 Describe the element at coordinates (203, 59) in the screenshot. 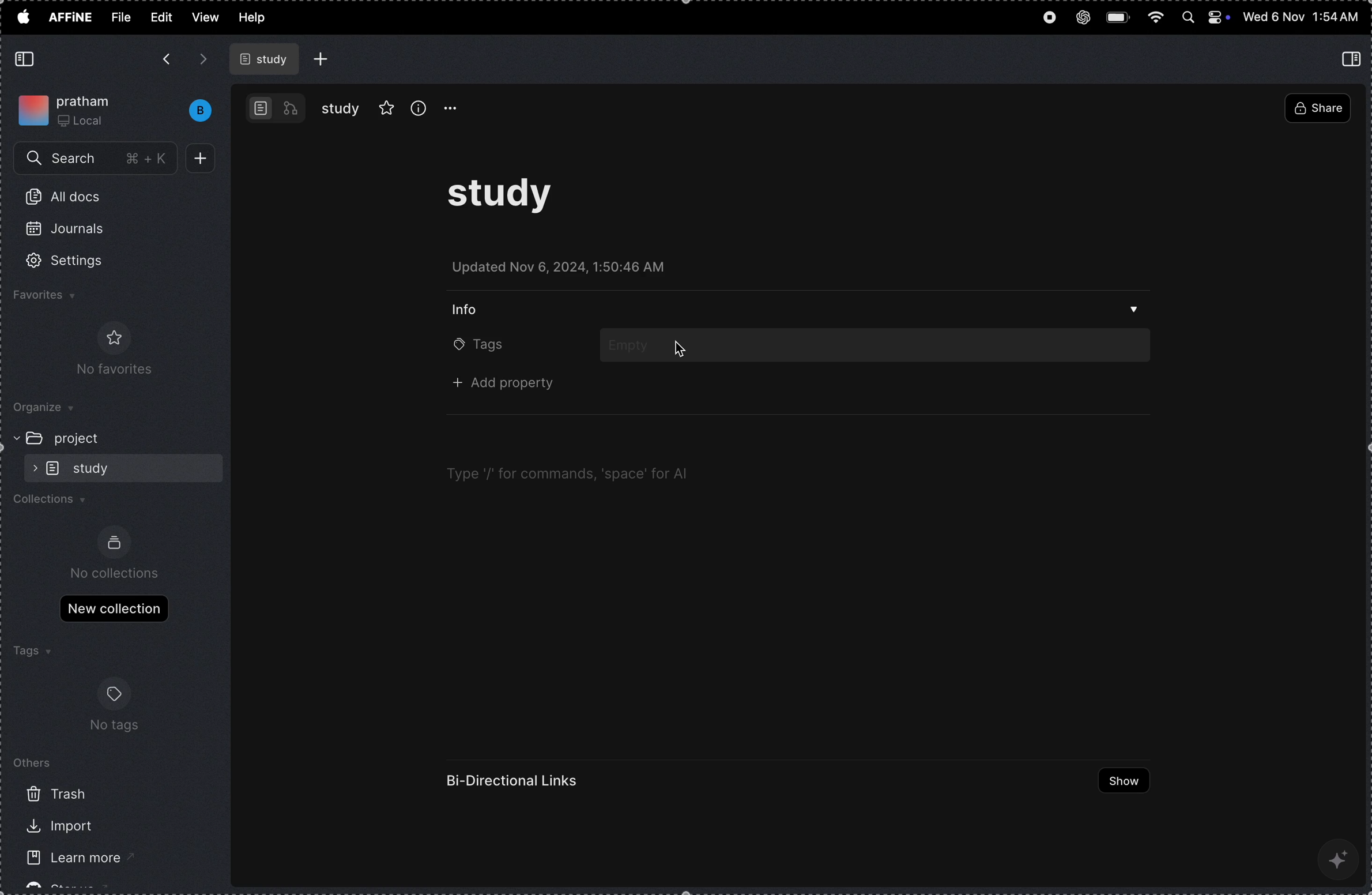

I see `forward` at that location.